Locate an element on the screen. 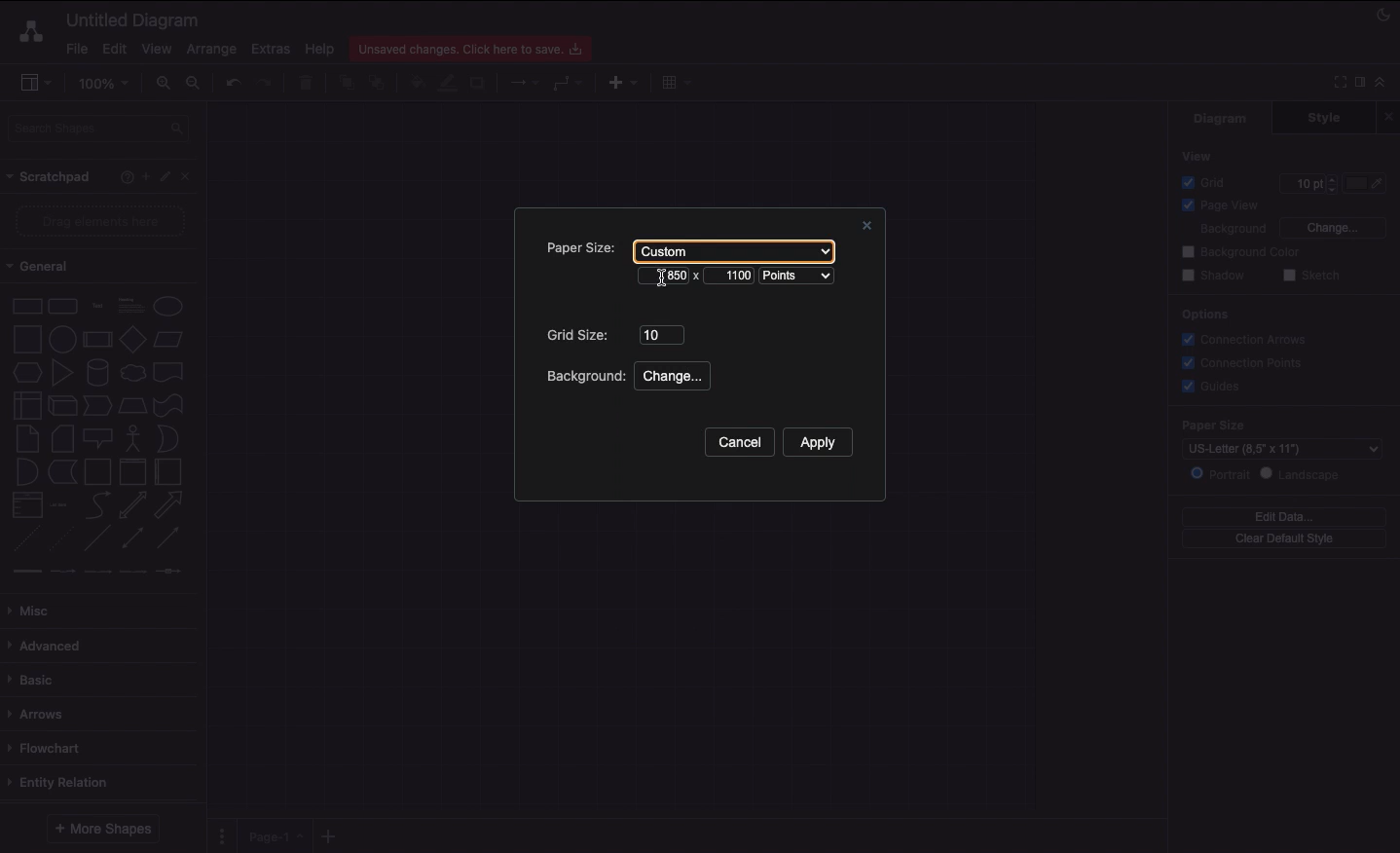  Container is located at coordinates (97, 471).